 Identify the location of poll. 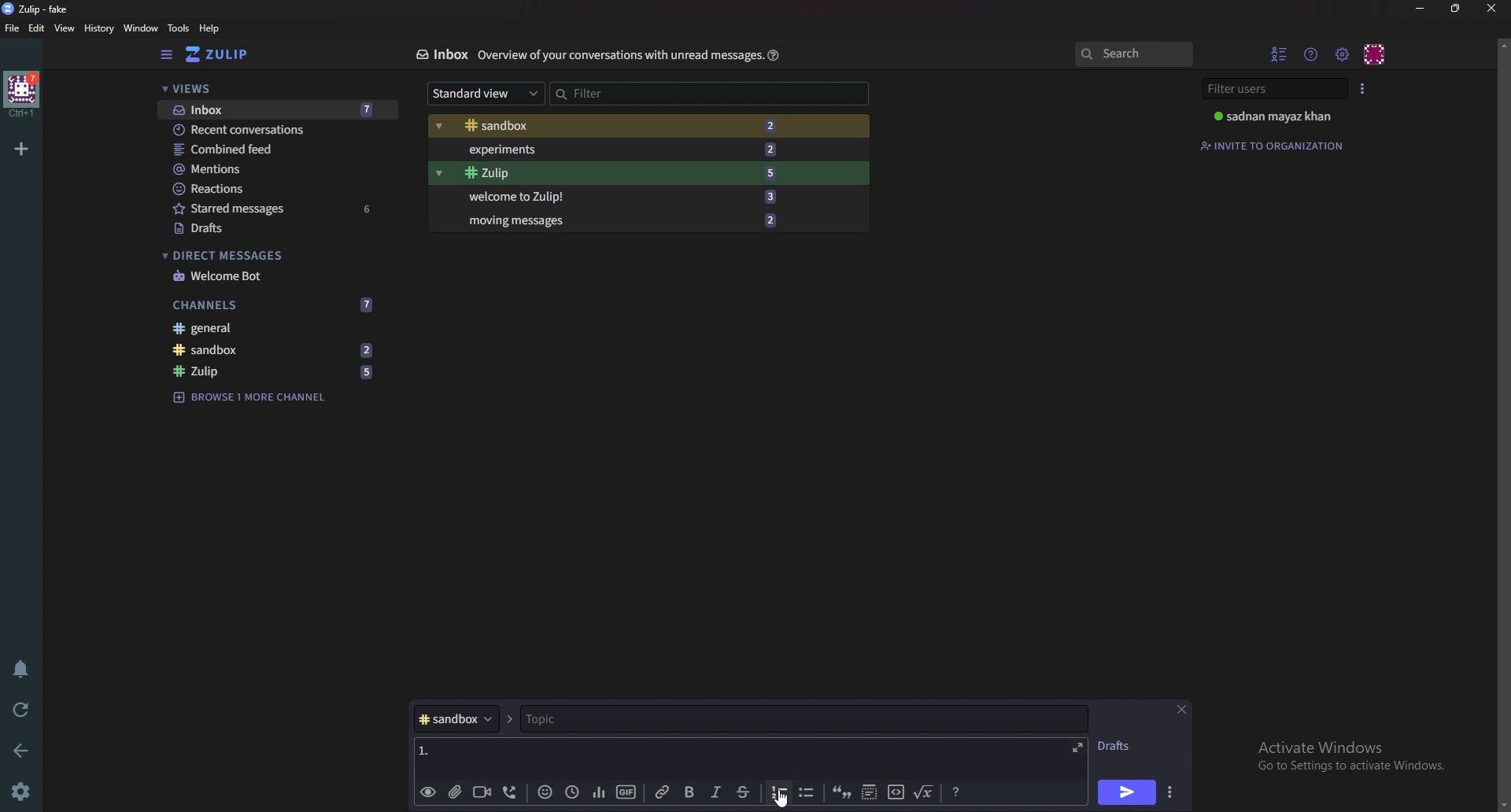
(596, 792).